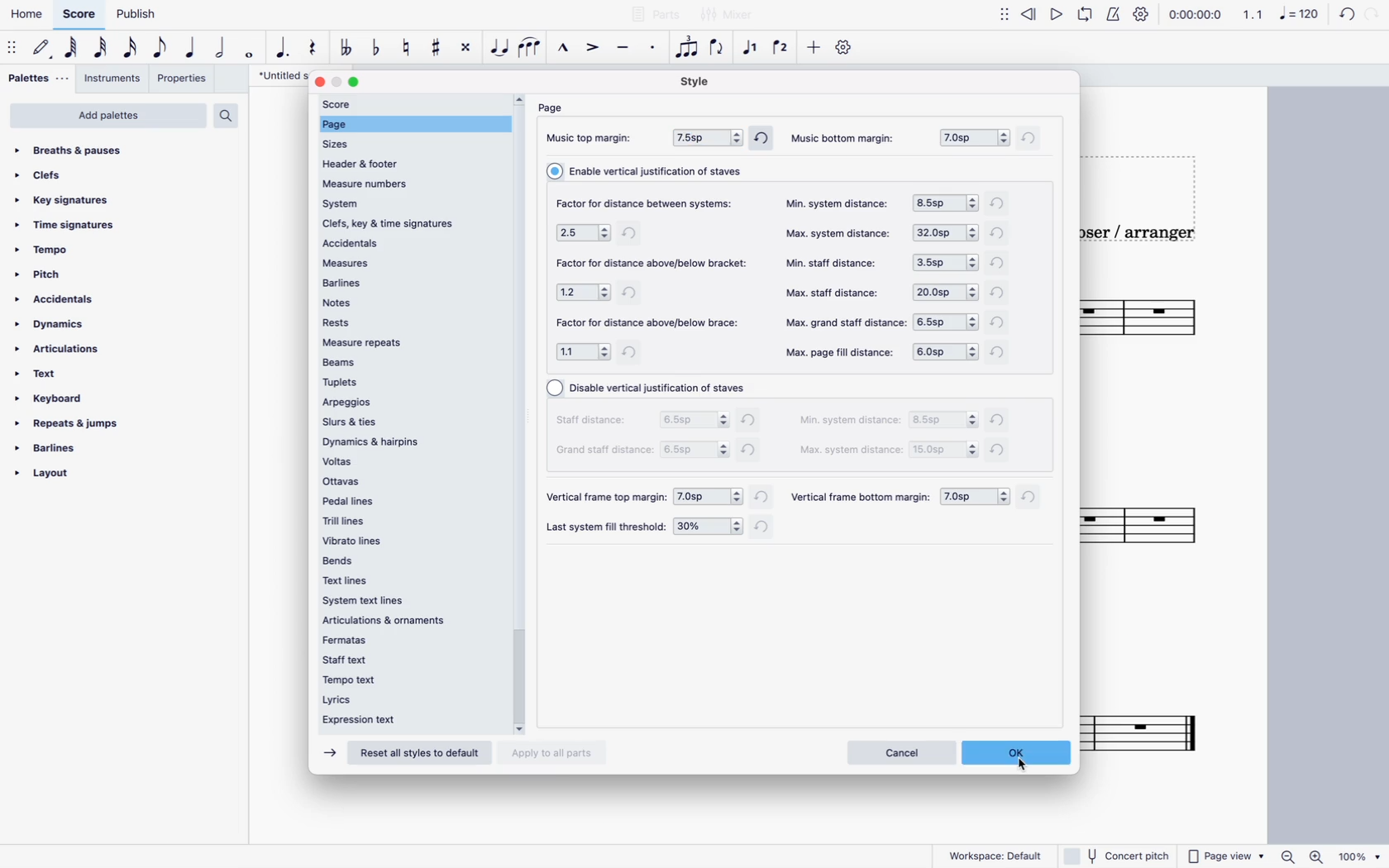  What do you see at coordinates (42, 50) in the screenshot?
I see `default` at bounding box center [42, 50].